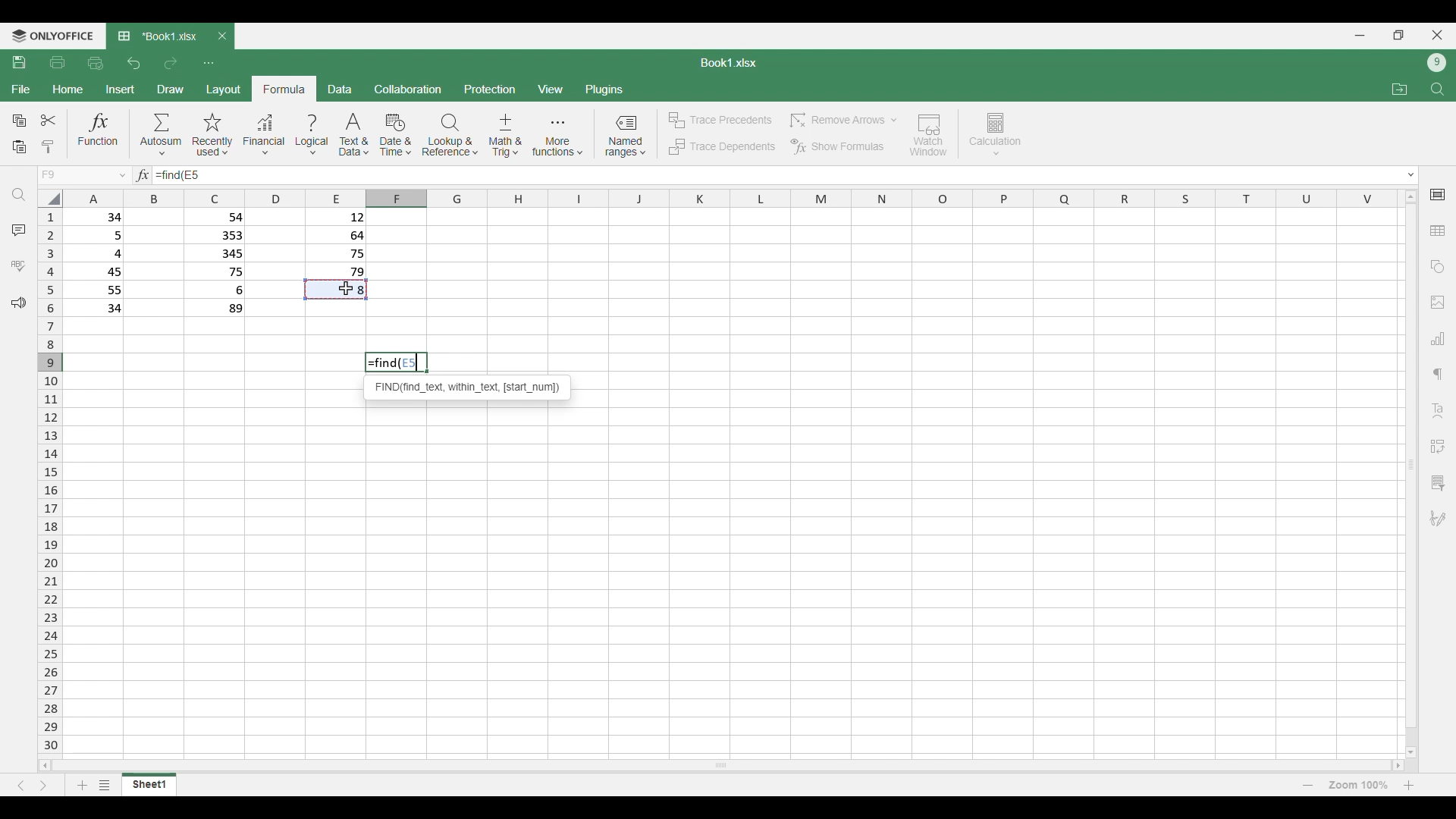  Describe the element at coordinates (1438, 35) in the screenshot. I see `Close interface` at that location.